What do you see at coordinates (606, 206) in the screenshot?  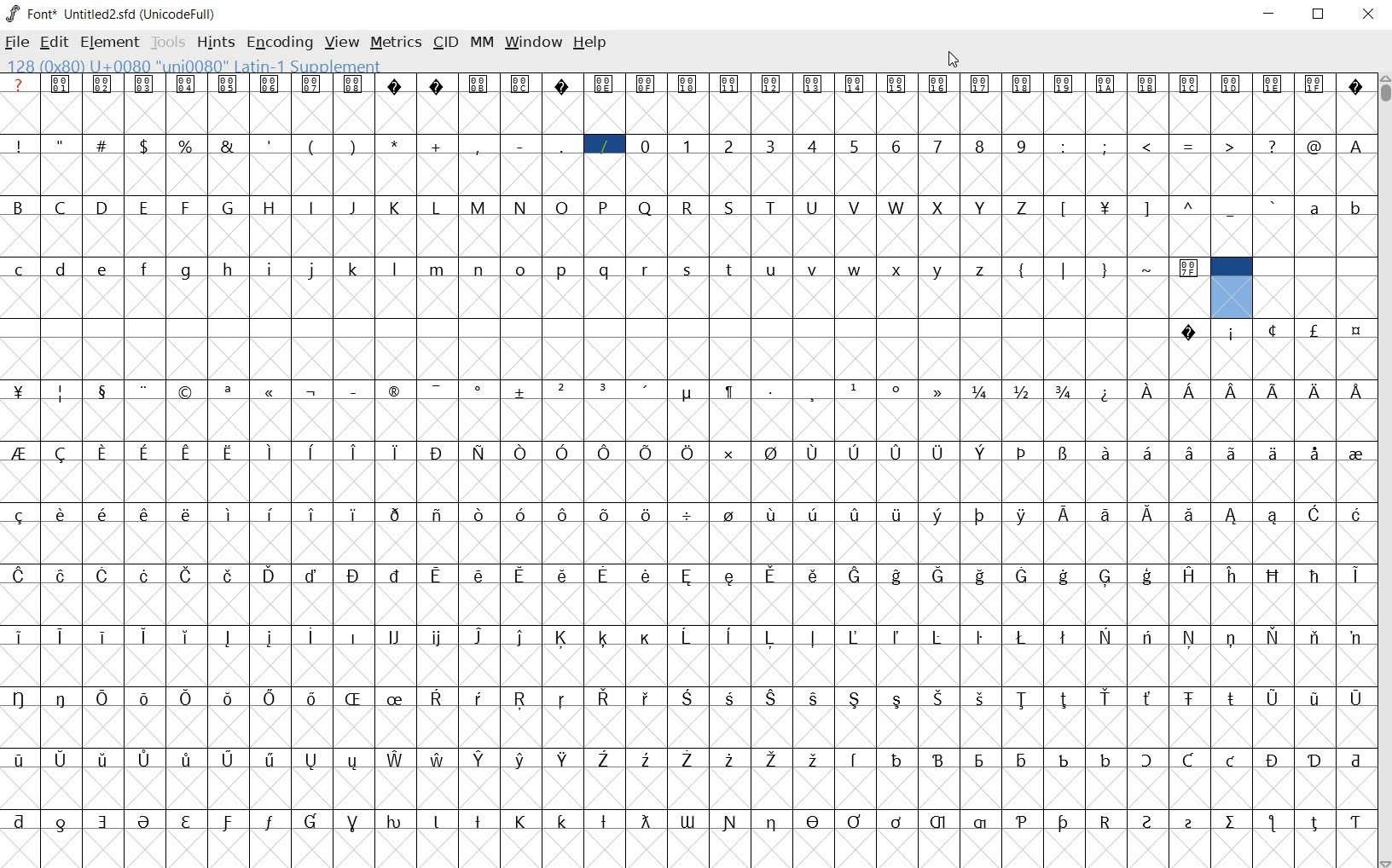 I see `P` at bounding box center [606, 206].